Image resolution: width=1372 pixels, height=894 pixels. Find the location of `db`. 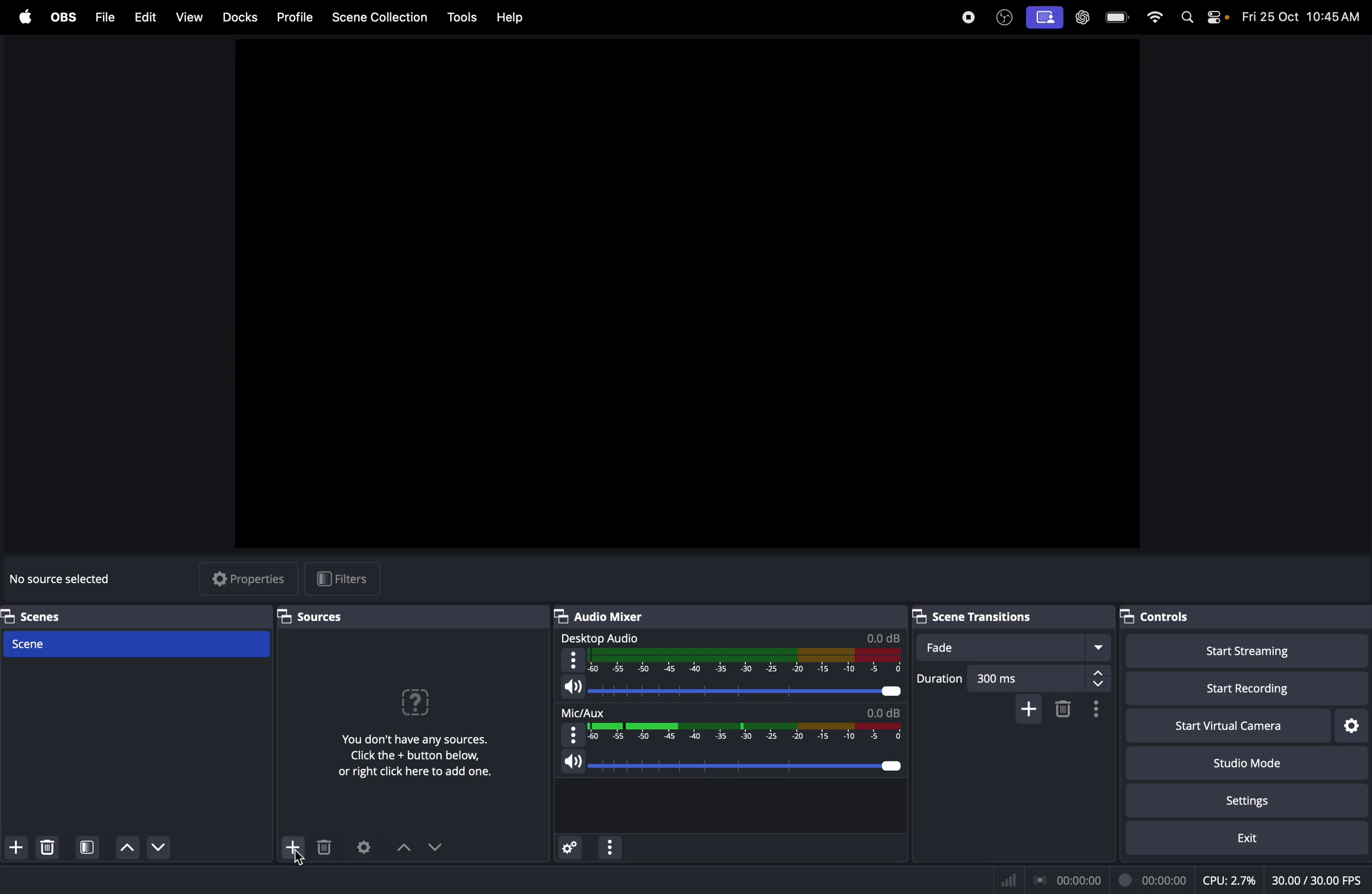

db is located at coordinates (881, 637).